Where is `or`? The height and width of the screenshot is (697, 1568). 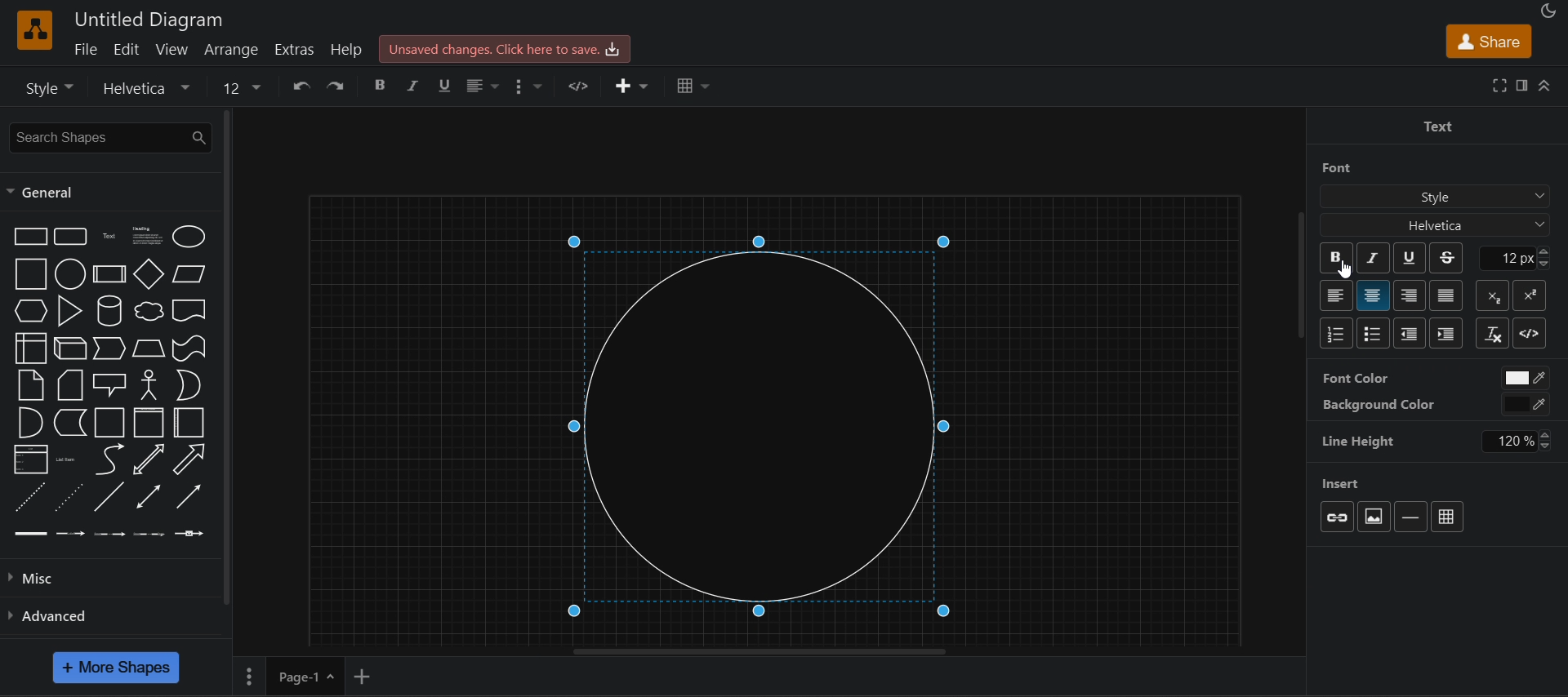 or is located at coordinates (194, 384).